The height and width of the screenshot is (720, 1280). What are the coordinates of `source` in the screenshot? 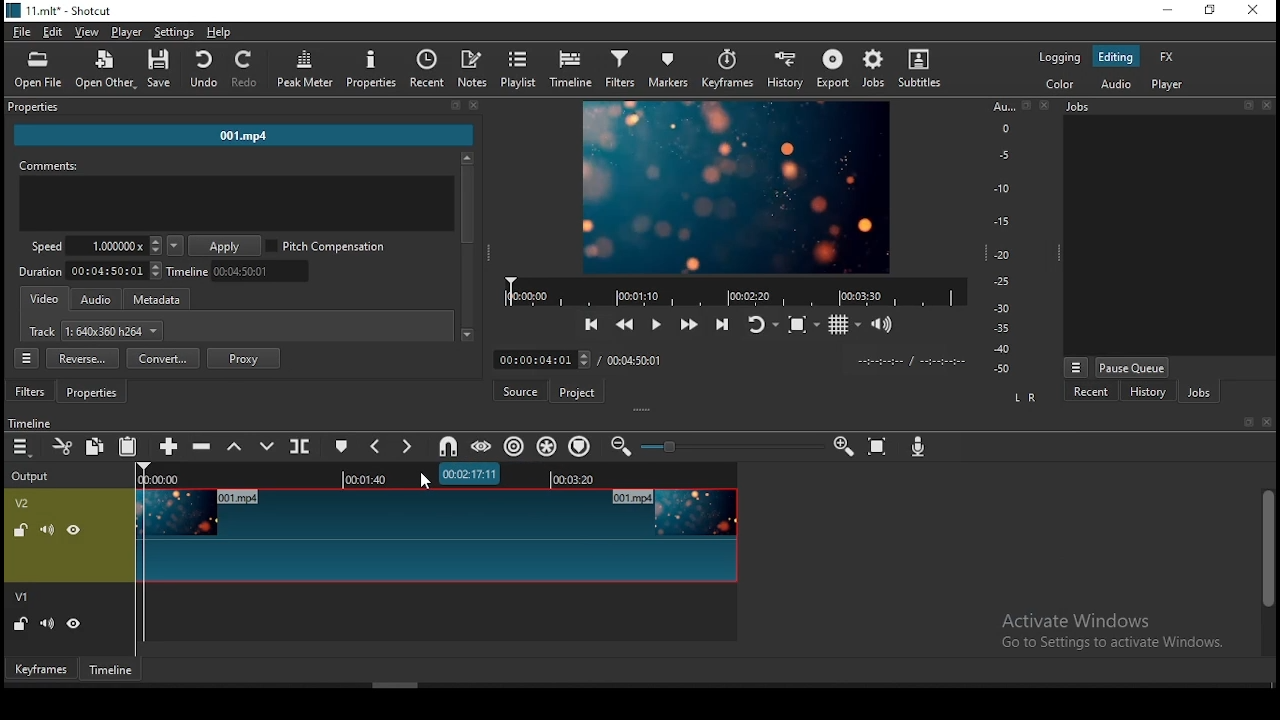 It's located at (523, 391).